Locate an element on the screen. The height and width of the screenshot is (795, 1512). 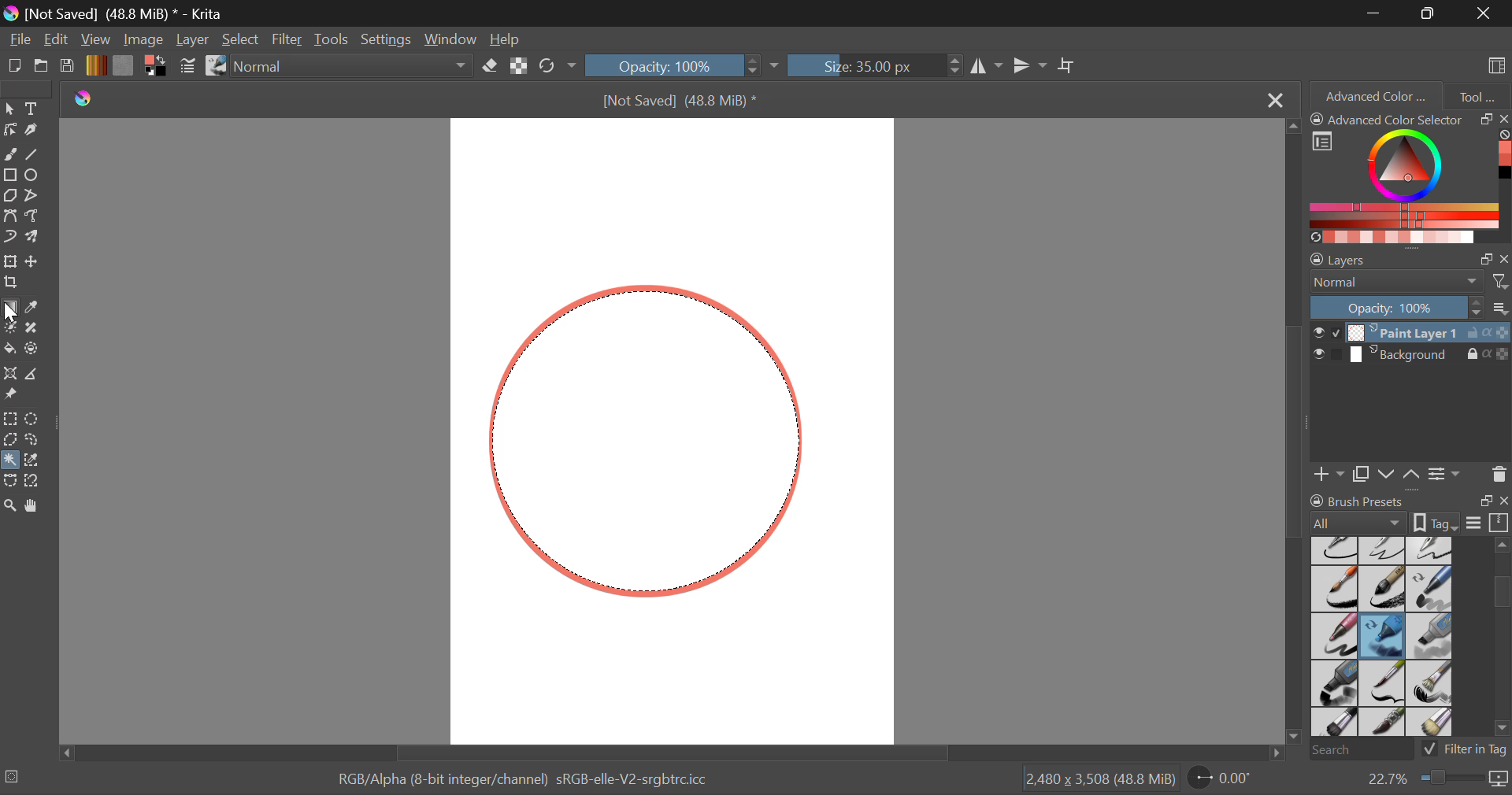
Close is located at coordinates (1484, 13).